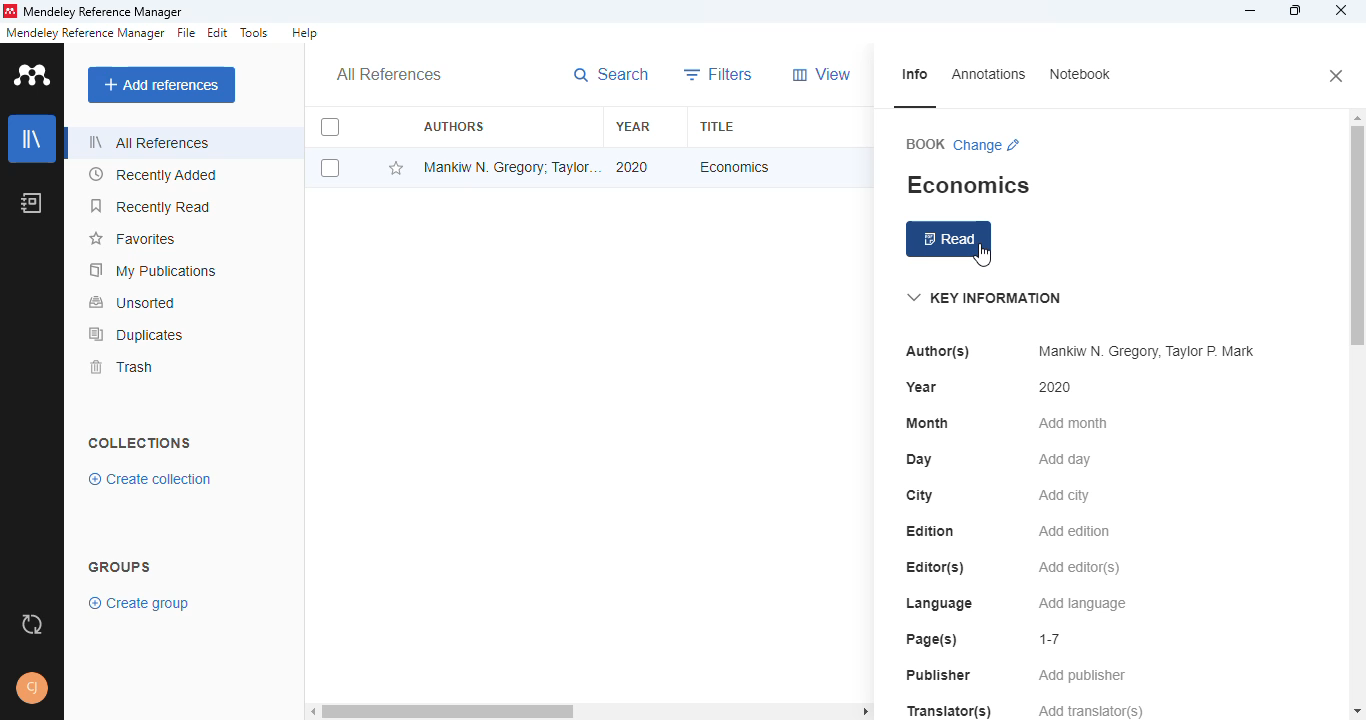  Describe the element at coordinates (988, 75) in the screenshot. I see `annotations` at that location.